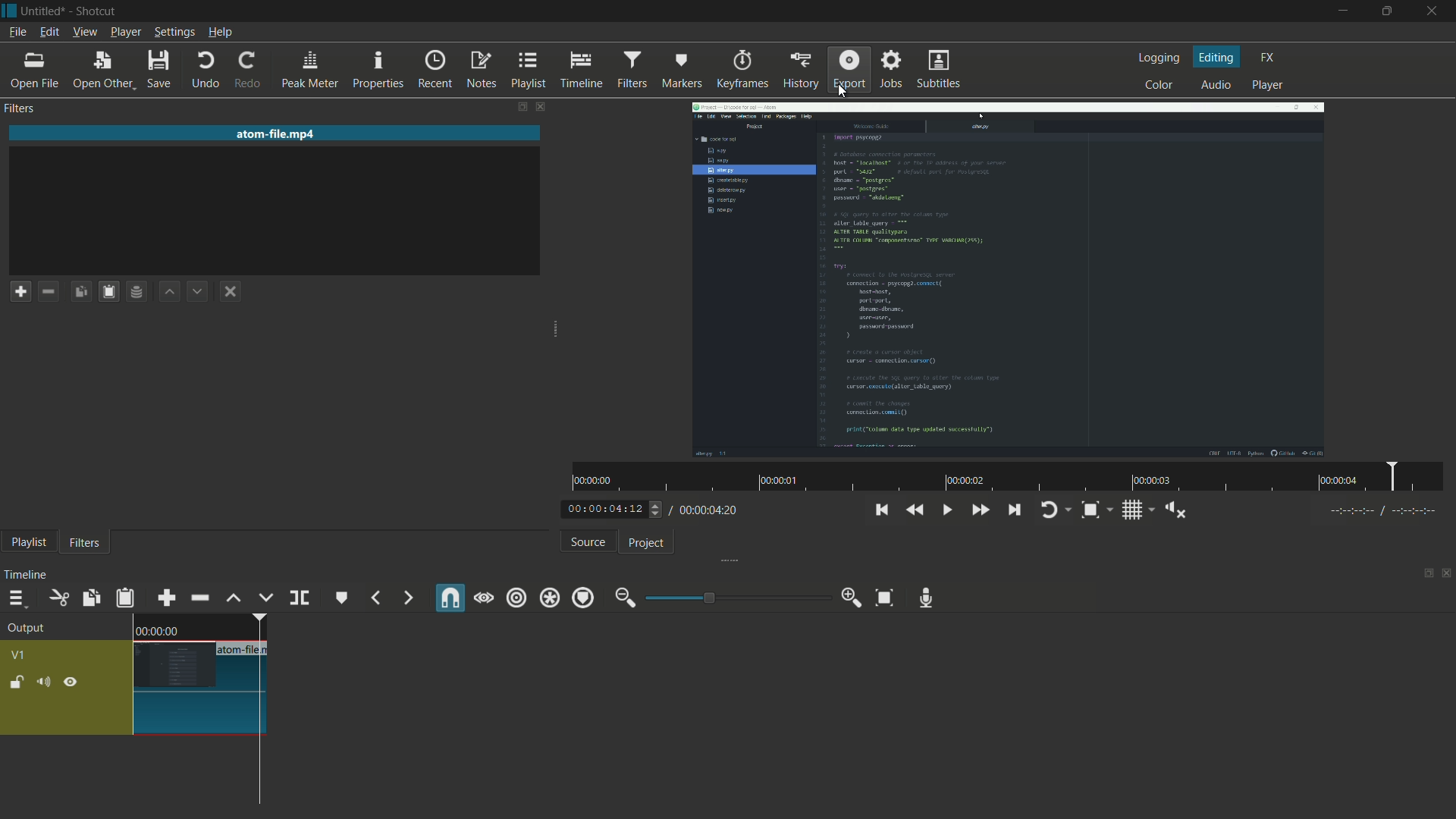 The width and height of the screenshot is (1456, 819). What do you see at coordinates (22, 108) in the screenshot?
I see `filters` at bounding box center [22, 108].